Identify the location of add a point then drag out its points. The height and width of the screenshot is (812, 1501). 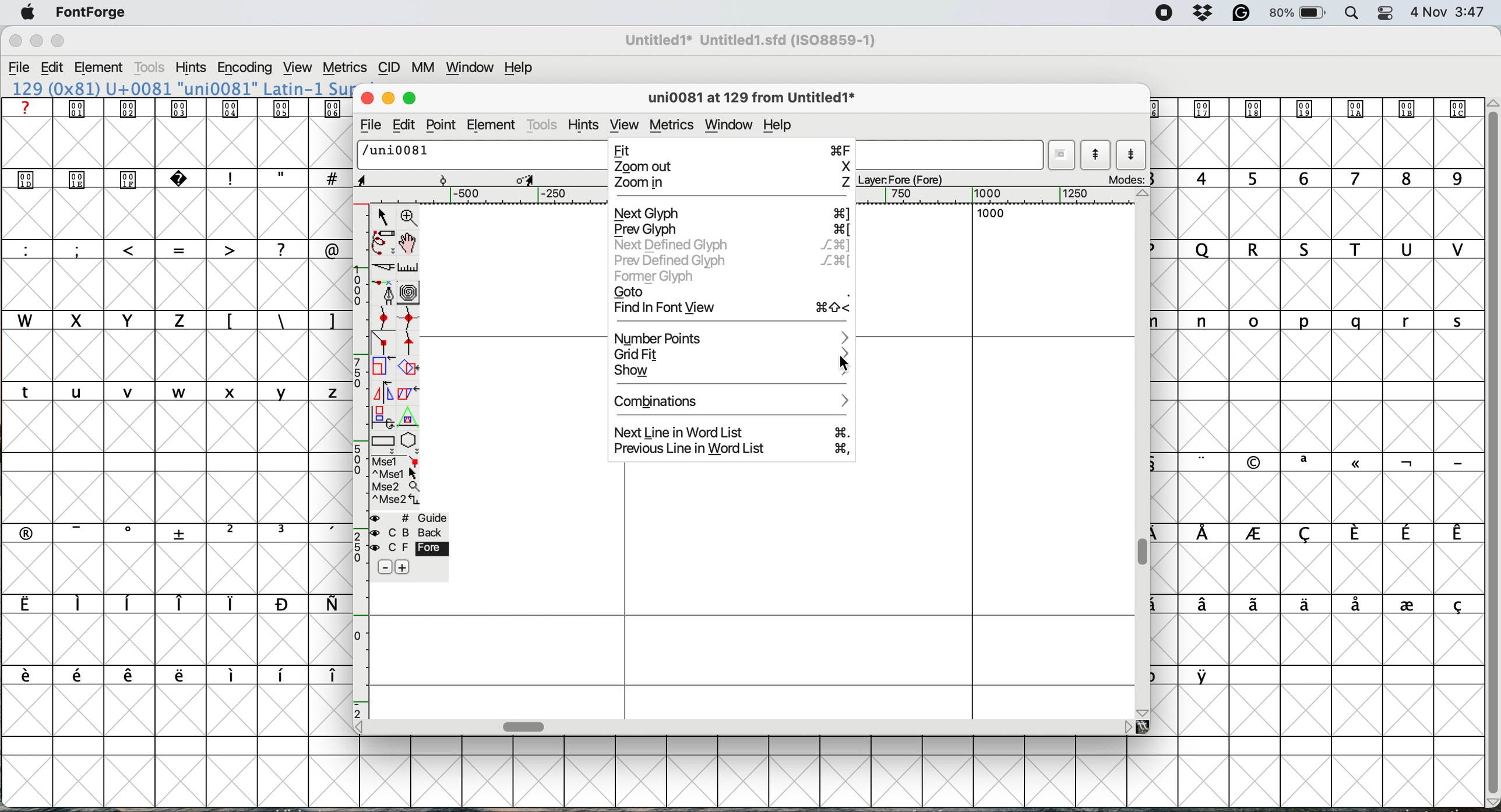
(385, 291).